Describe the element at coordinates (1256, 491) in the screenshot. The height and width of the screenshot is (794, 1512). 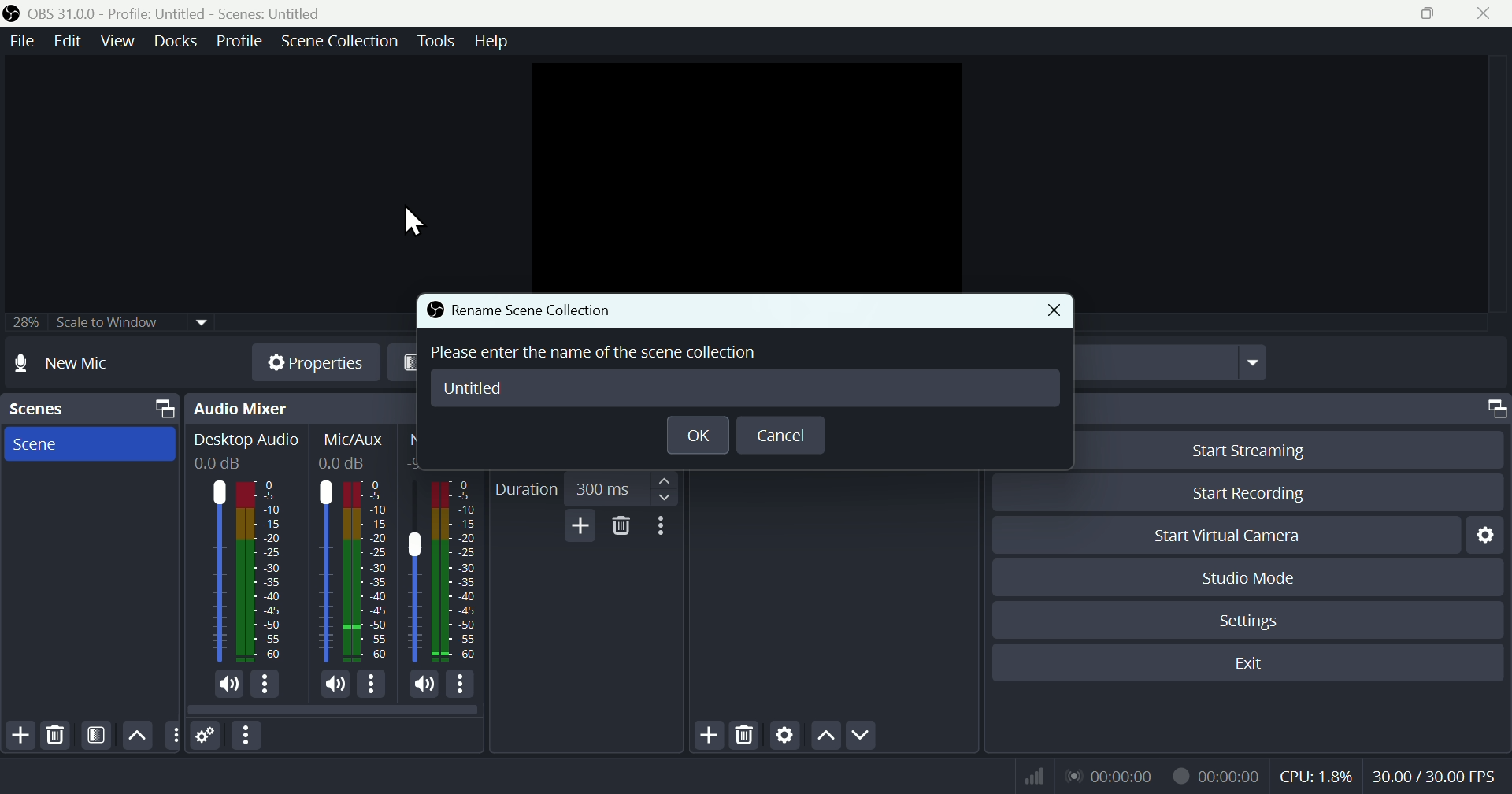
I see `Start recording` at that location.